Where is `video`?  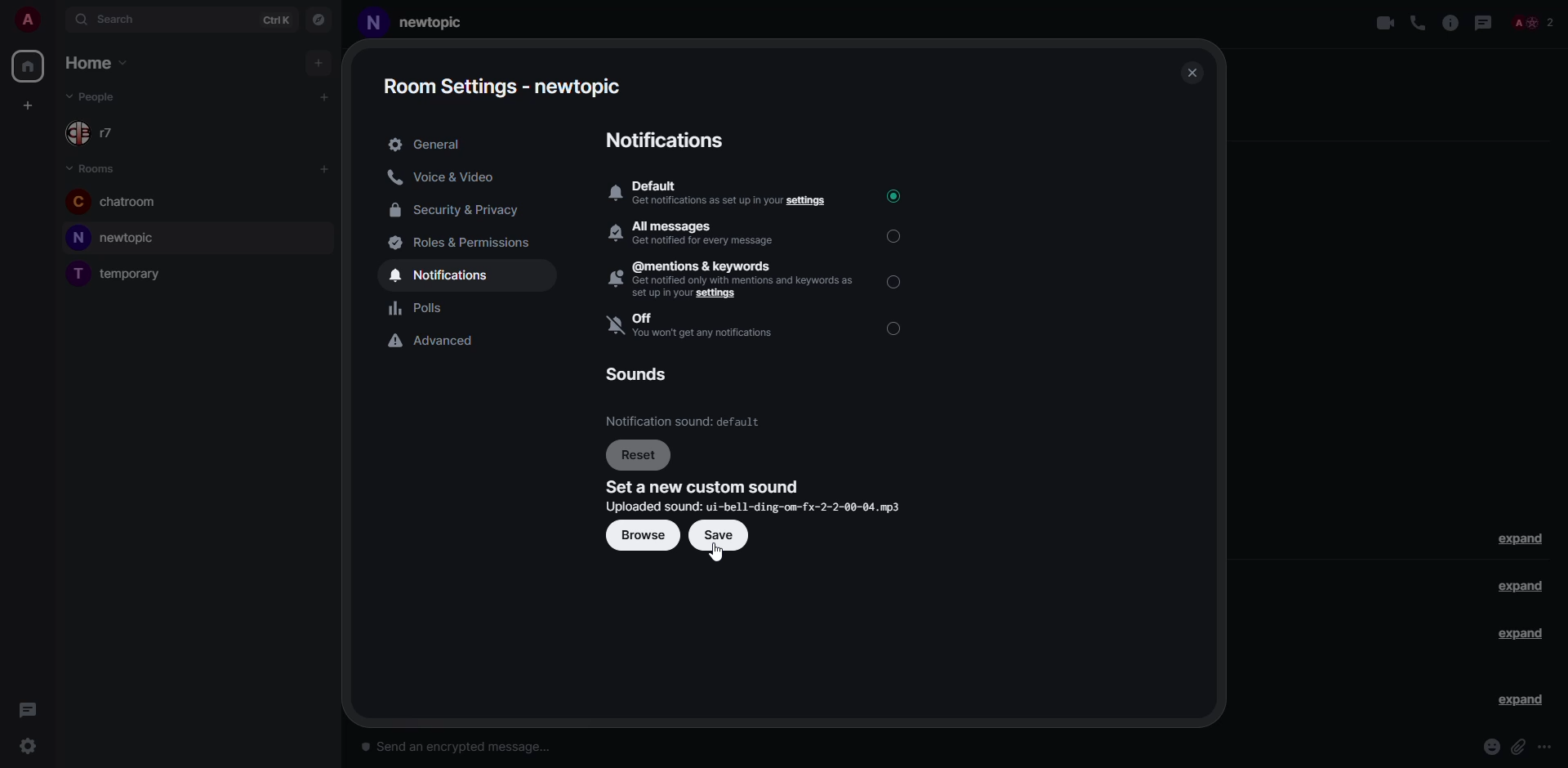
video is located at coordinates (1387, 23).